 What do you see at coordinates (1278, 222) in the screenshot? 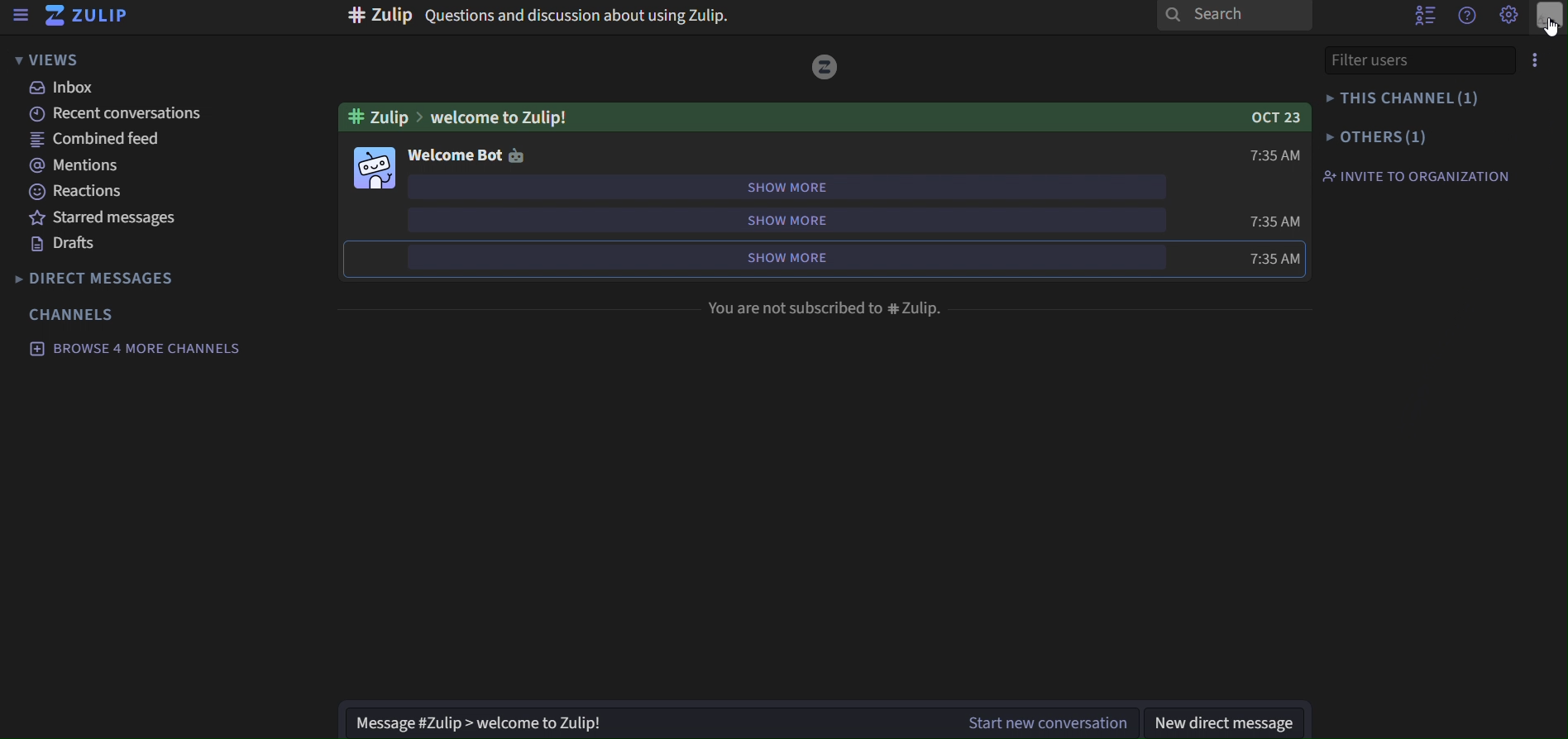
I see `7:35 AM` at bounding box center [1278, 222].